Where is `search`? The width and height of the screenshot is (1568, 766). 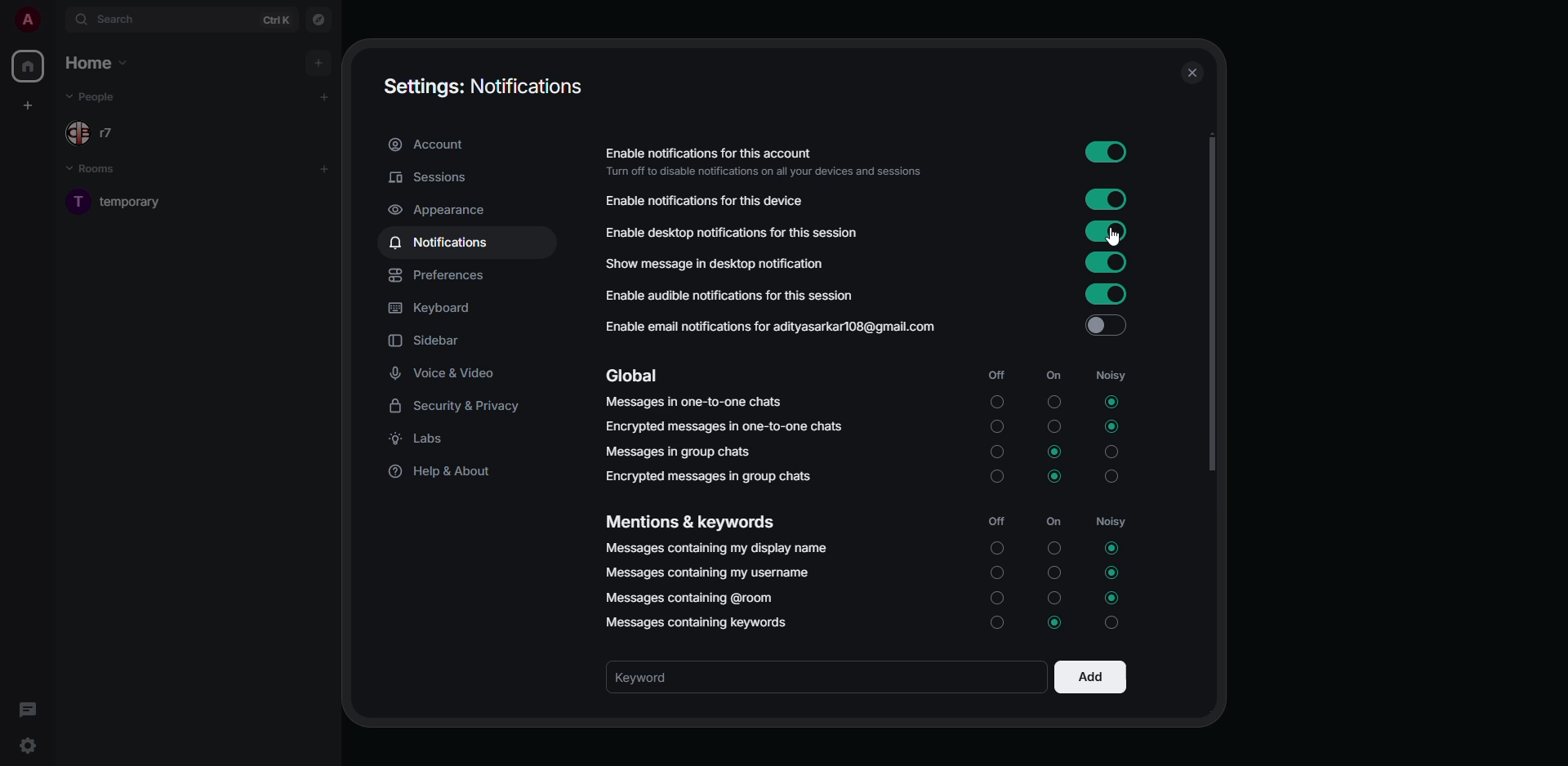 search is located at coordinates (119, 20).